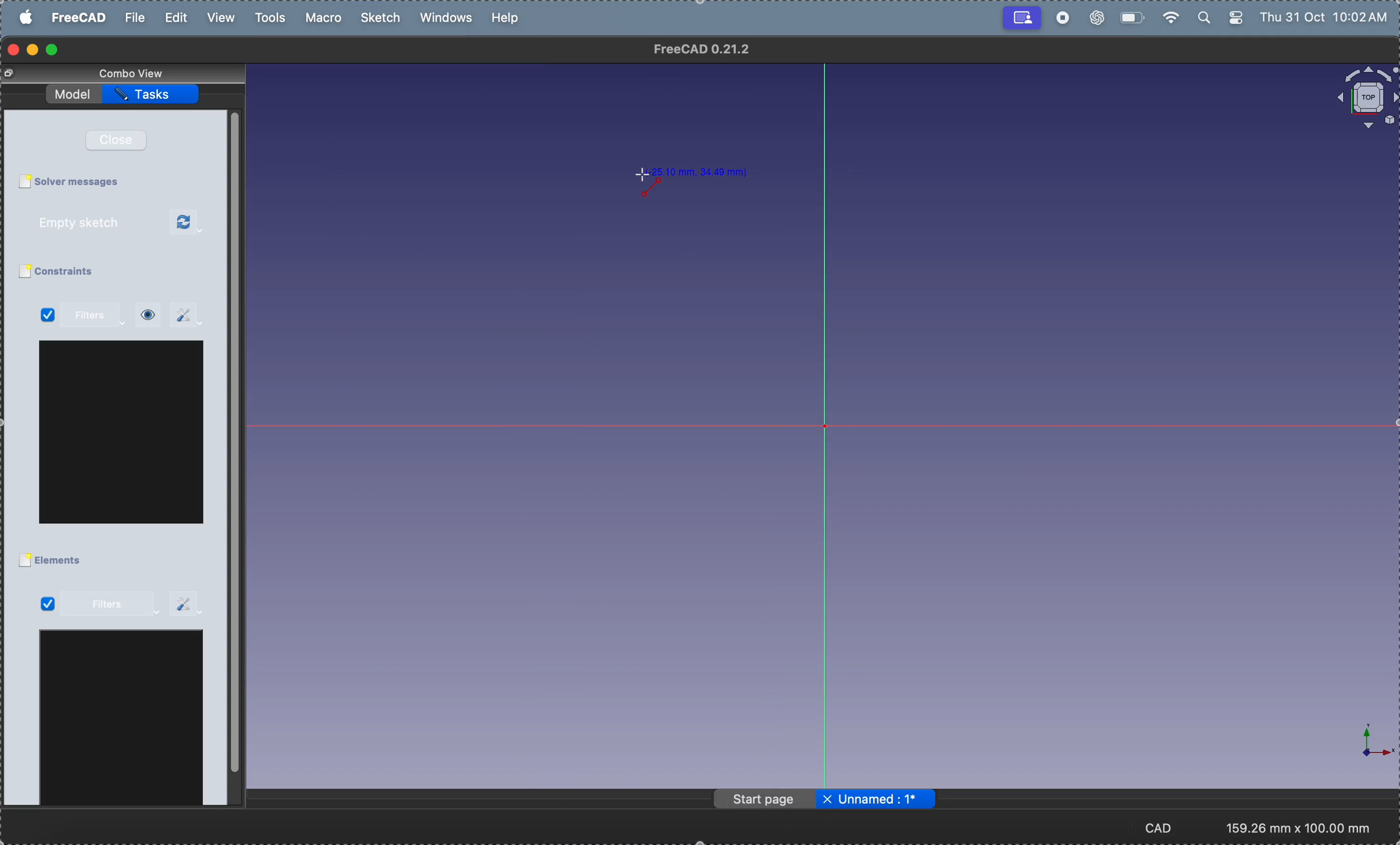 The width and height of the screenshot is (1400, 845). Describe the element at coordinates (122, 721) in the screenshot. I see `window` at that location.